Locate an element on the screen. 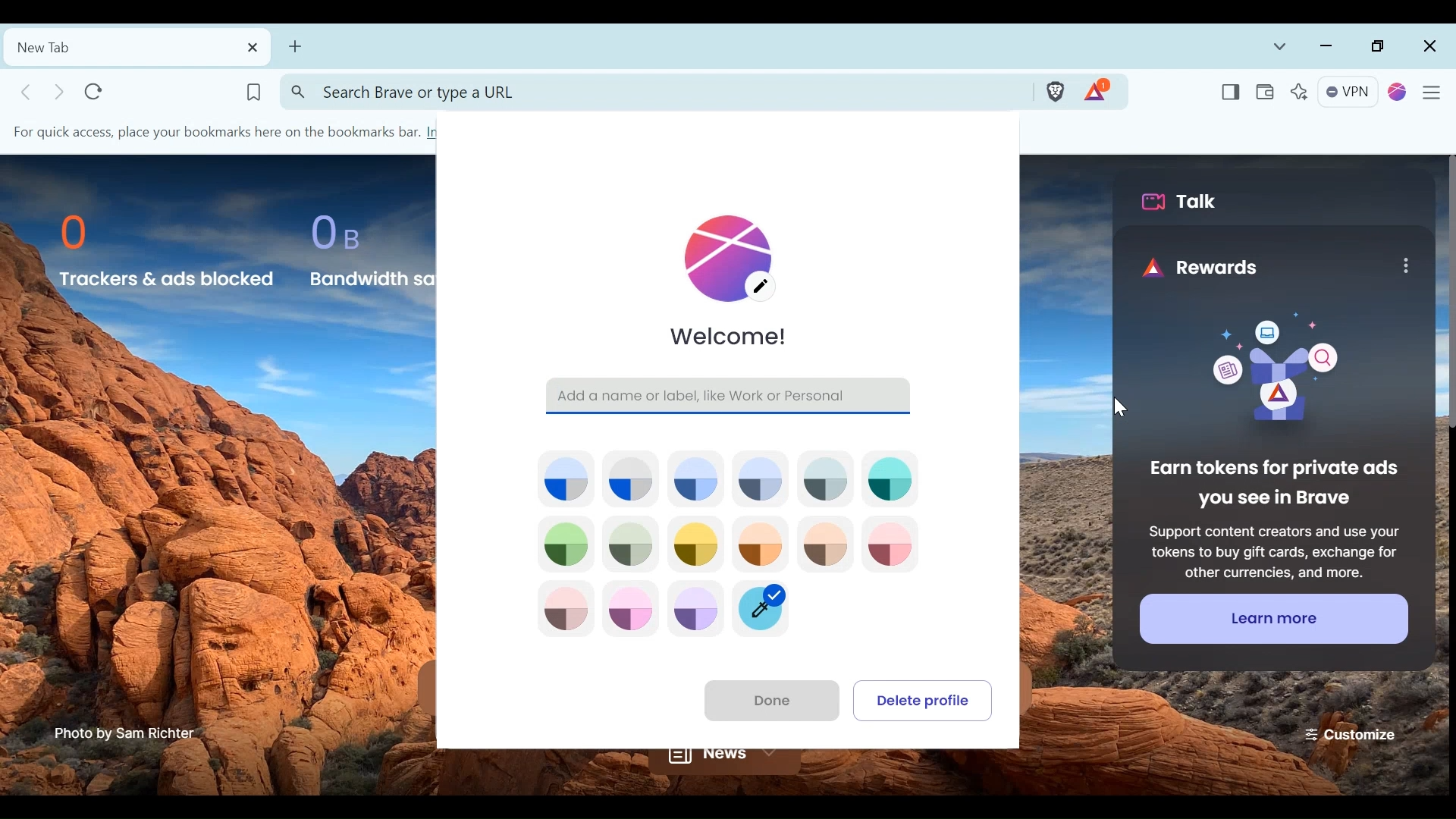 The width and height of the screenshot is (1456, 819). Tokens is located at coordinates (1099, 90).